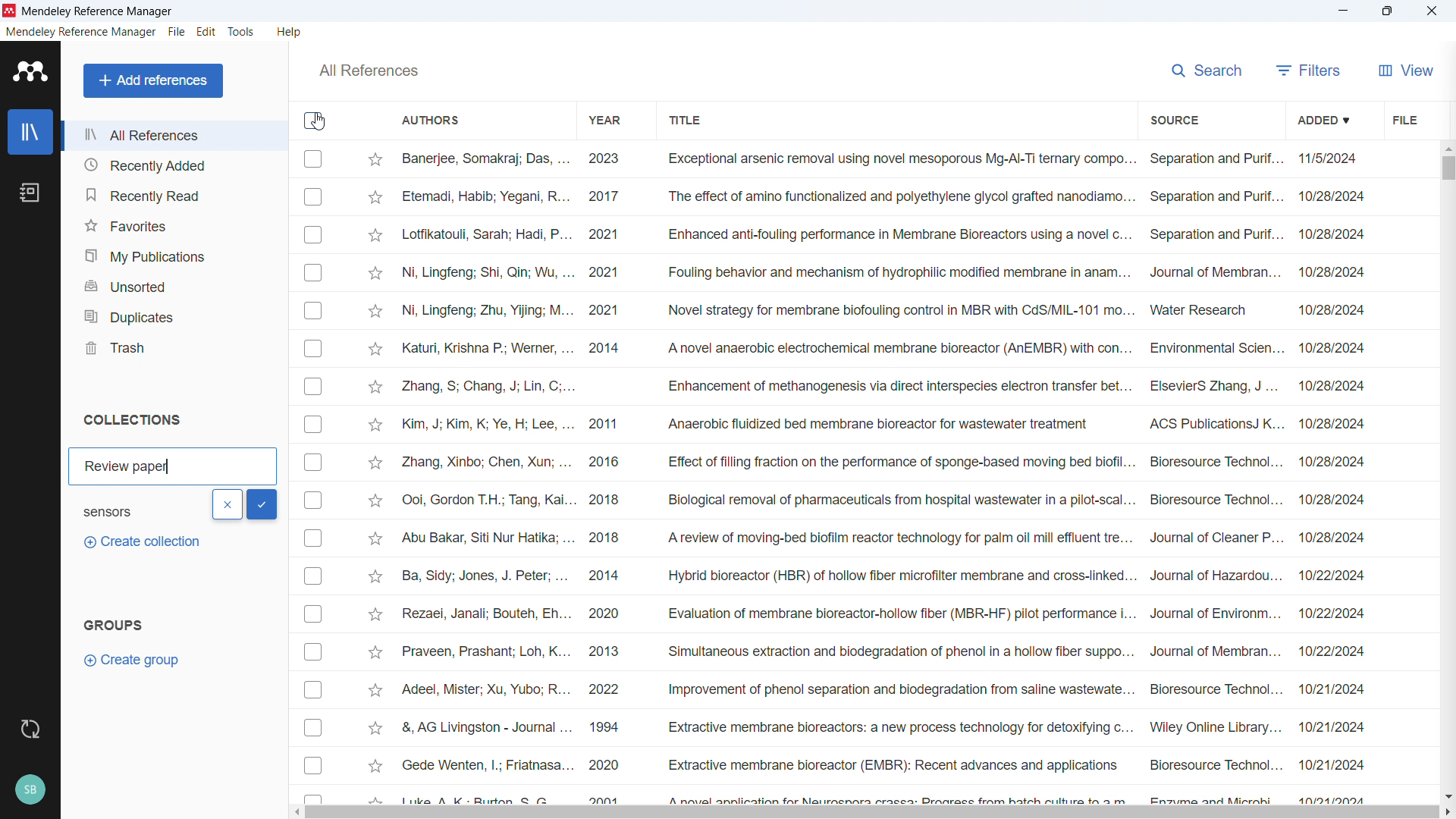 The height and width of the screenshot is (819, 1456). Describe the element at coordinates (129, 466) in the screenshot. I see `Review paper` at that location.